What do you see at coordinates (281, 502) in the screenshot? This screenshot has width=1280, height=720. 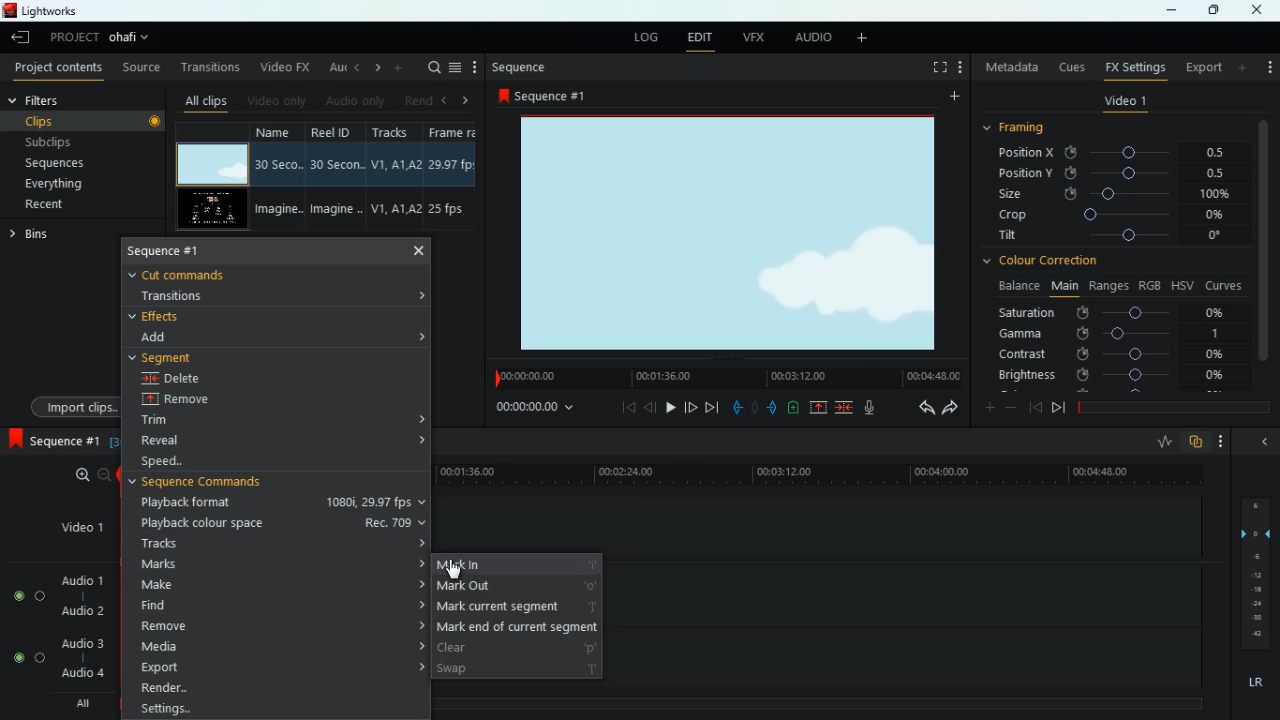 I see `playback format 1080i, 29.97 fps` at bounding box center [281, 502].